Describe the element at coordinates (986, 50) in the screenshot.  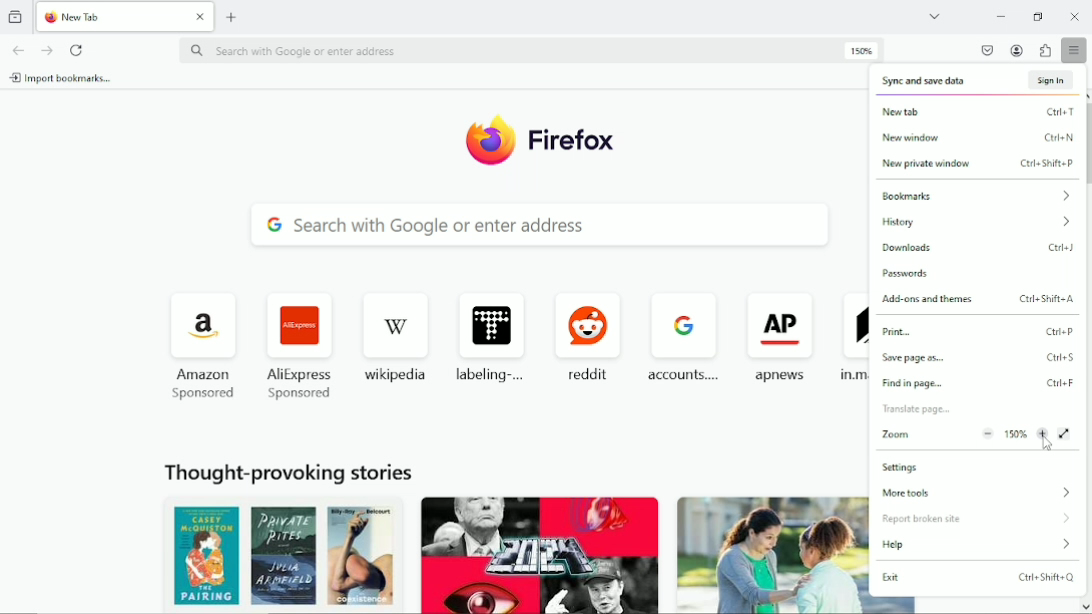
I see `save to pocket` at that location.